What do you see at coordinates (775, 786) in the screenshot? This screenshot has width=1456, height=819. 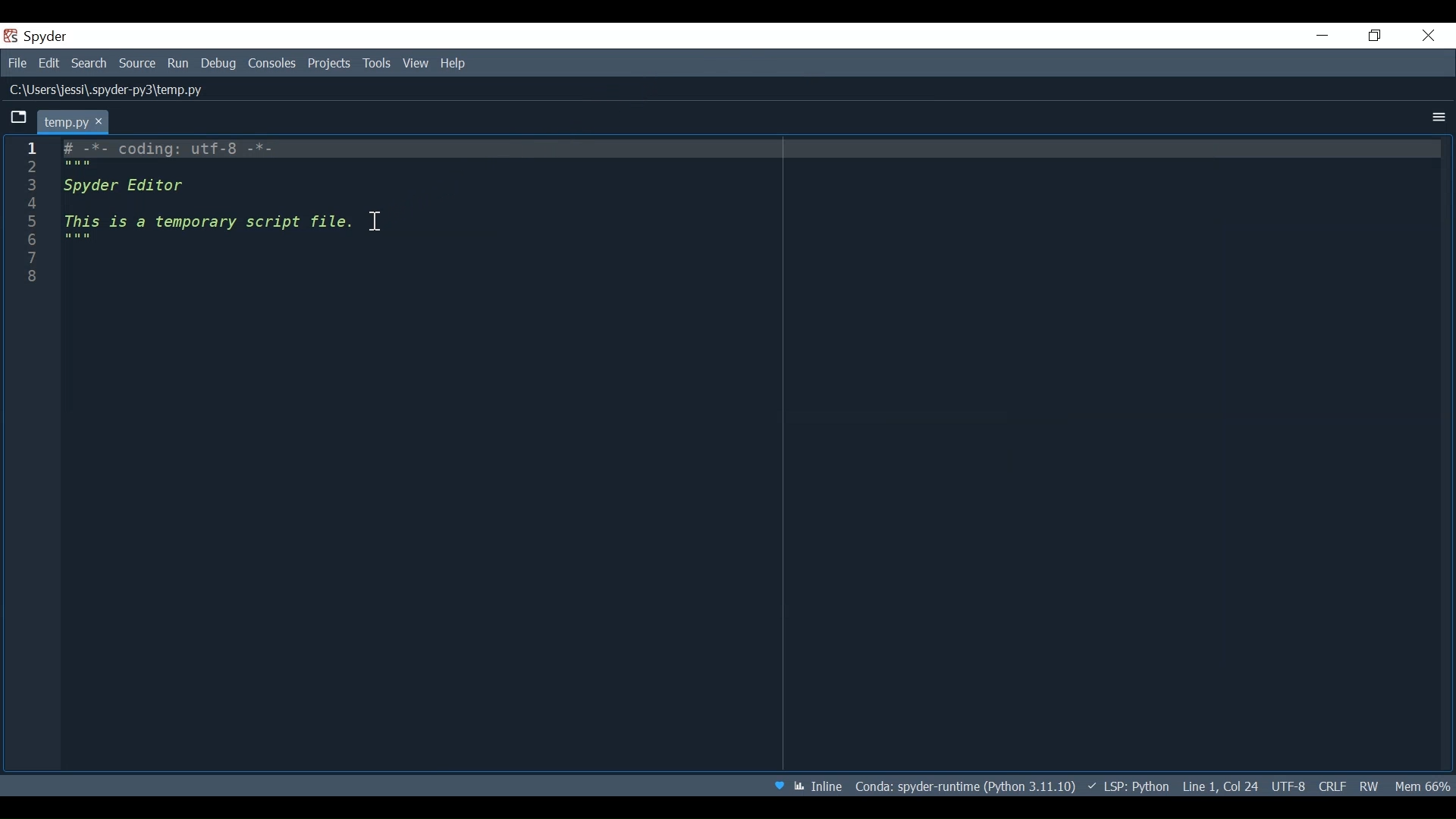 I see `Help Spyder` at bounding box center [775, 786].